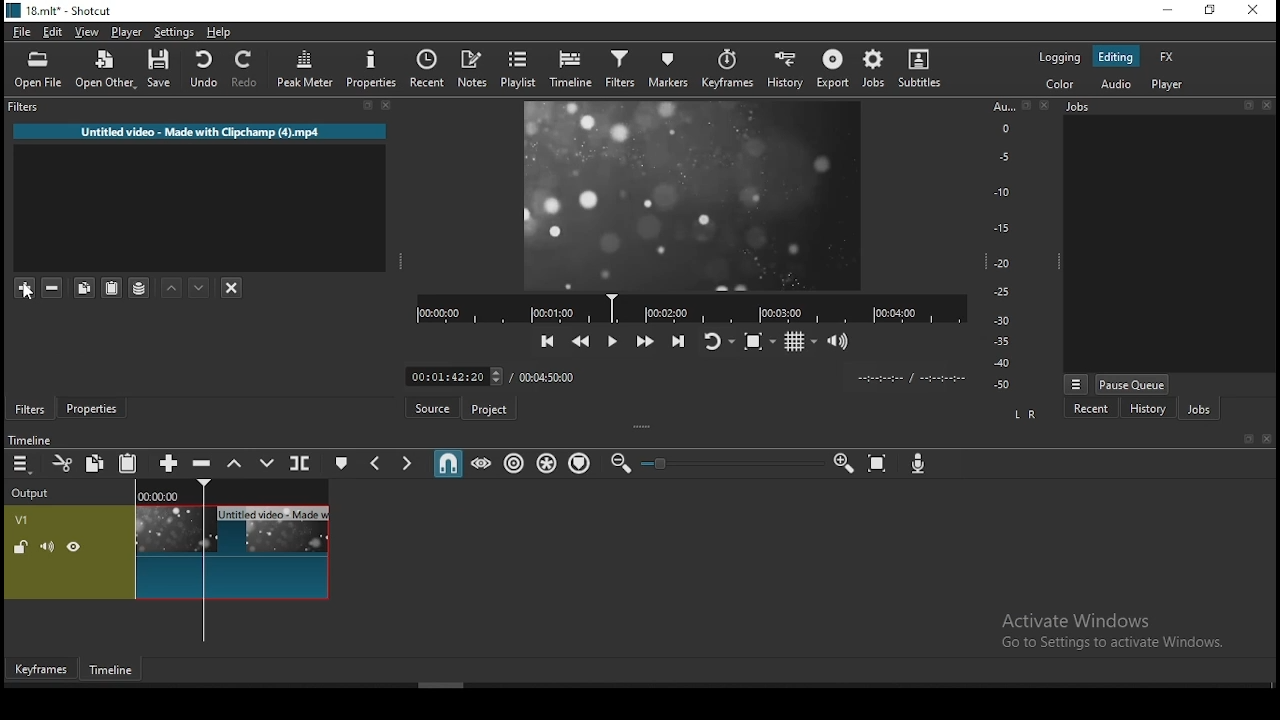 This screenshot has height=720, width=1280. I want to click on append, so click(171, 462).